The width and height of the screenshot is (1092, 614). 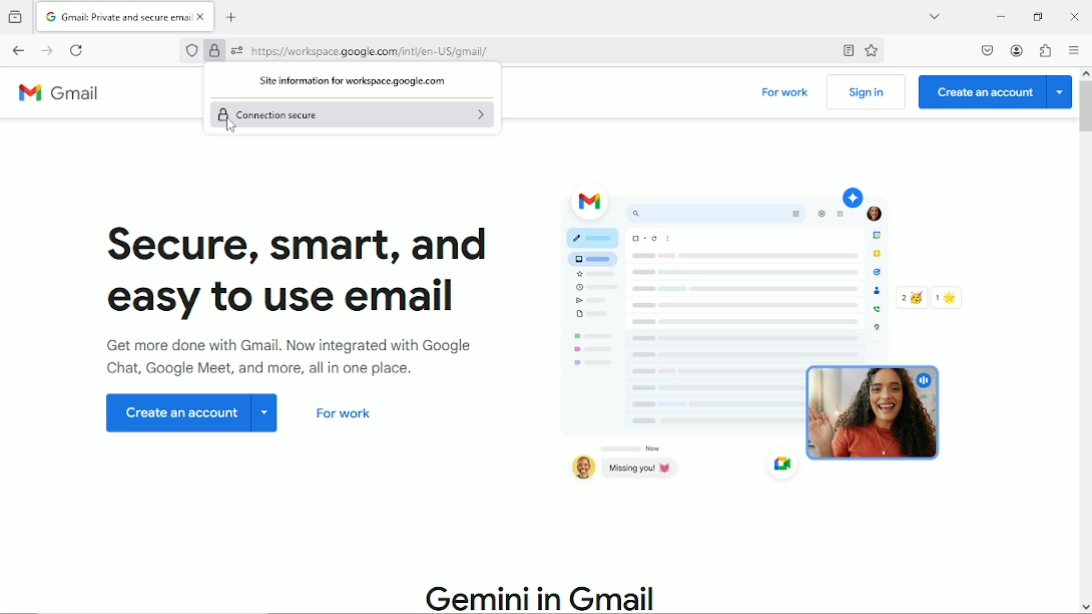 I want to click on You have granted additional permissions to this website, so click(x=236, y=49).